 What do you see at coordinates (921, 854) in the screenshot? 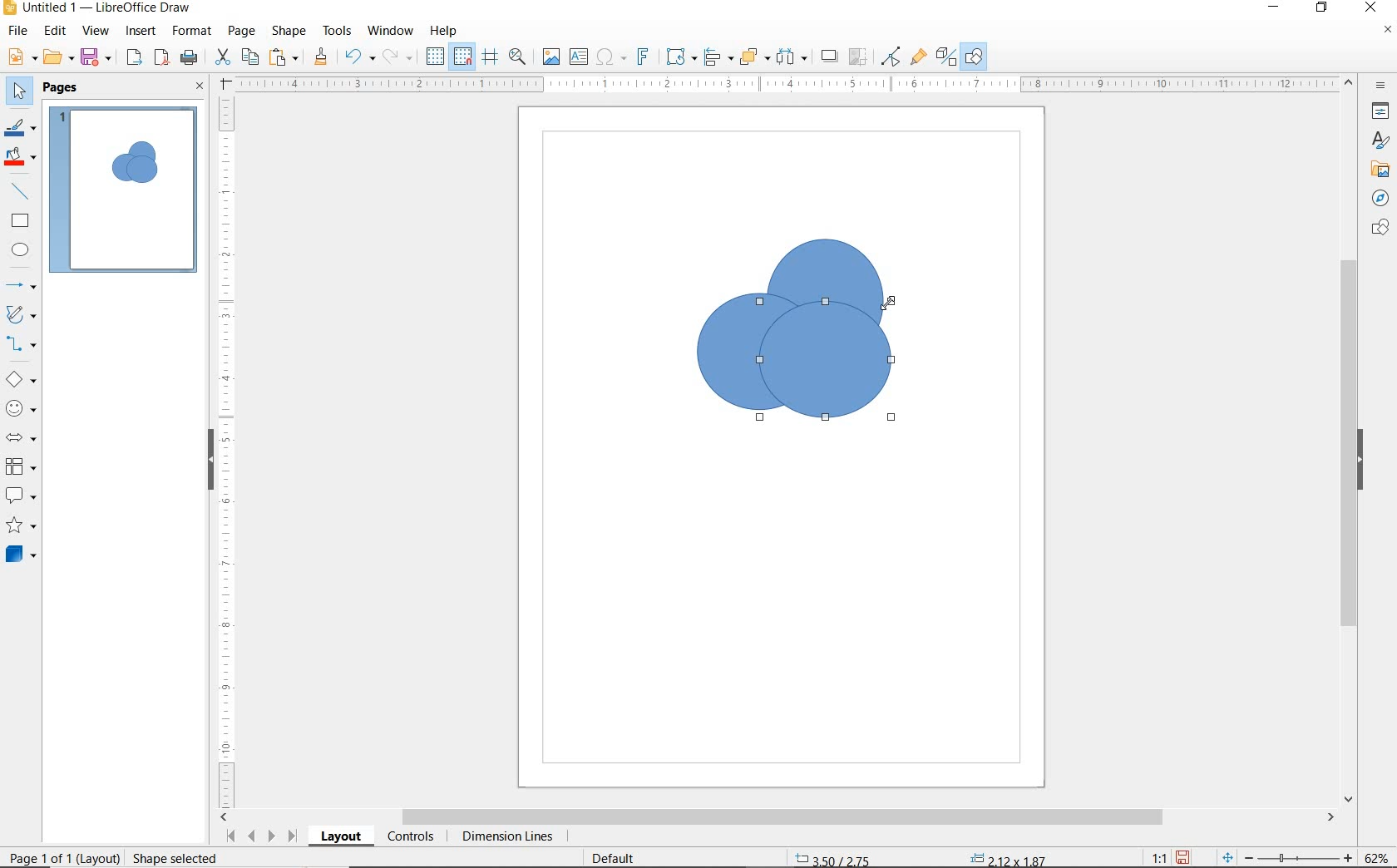
I see `STANDARD SELECTION` at bounding box center [921, 854].